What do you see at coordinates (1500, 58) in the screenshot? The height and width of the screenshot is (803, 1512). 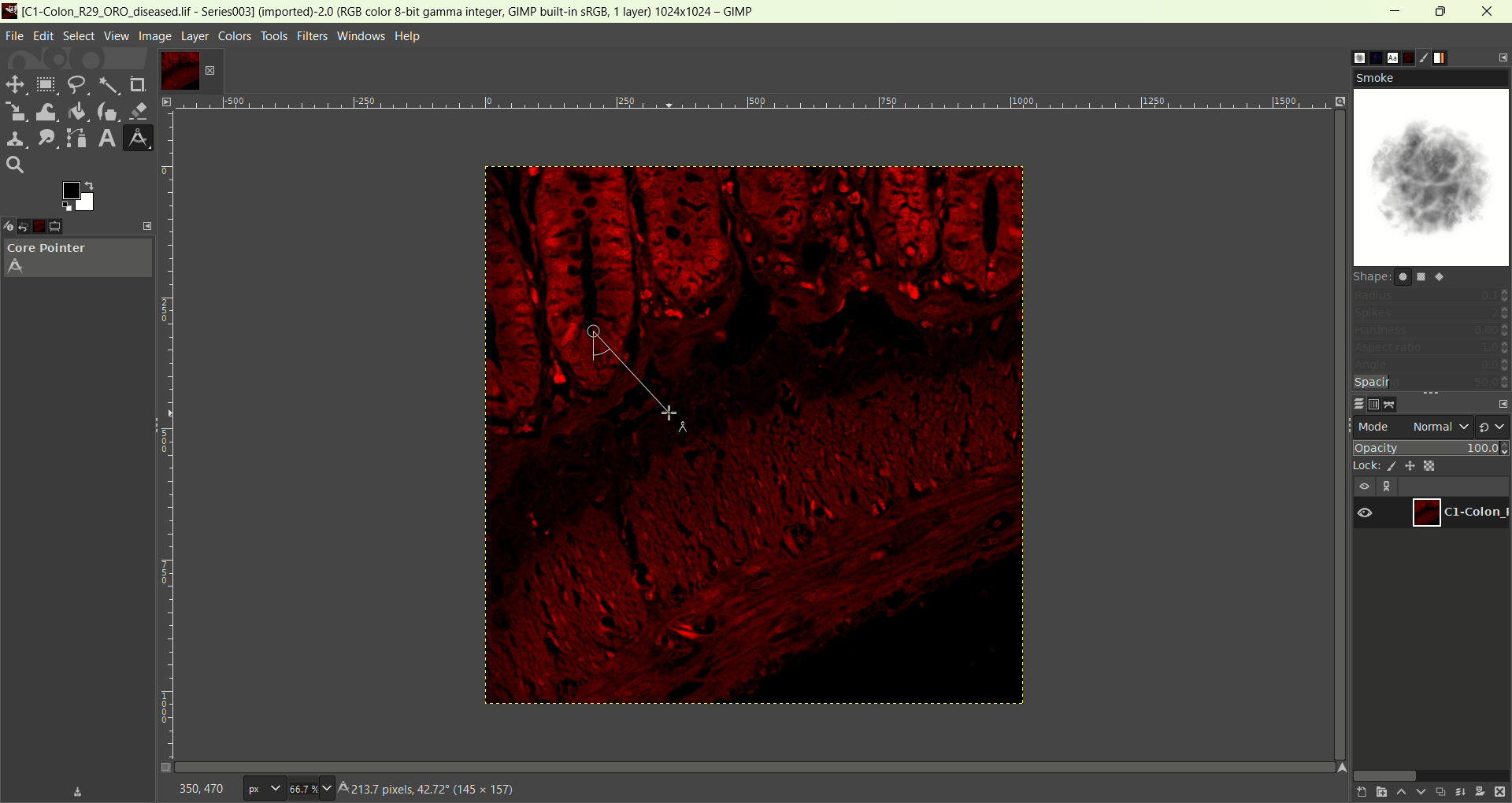 I see `configure this tab` at bounding box center [1500, 58].